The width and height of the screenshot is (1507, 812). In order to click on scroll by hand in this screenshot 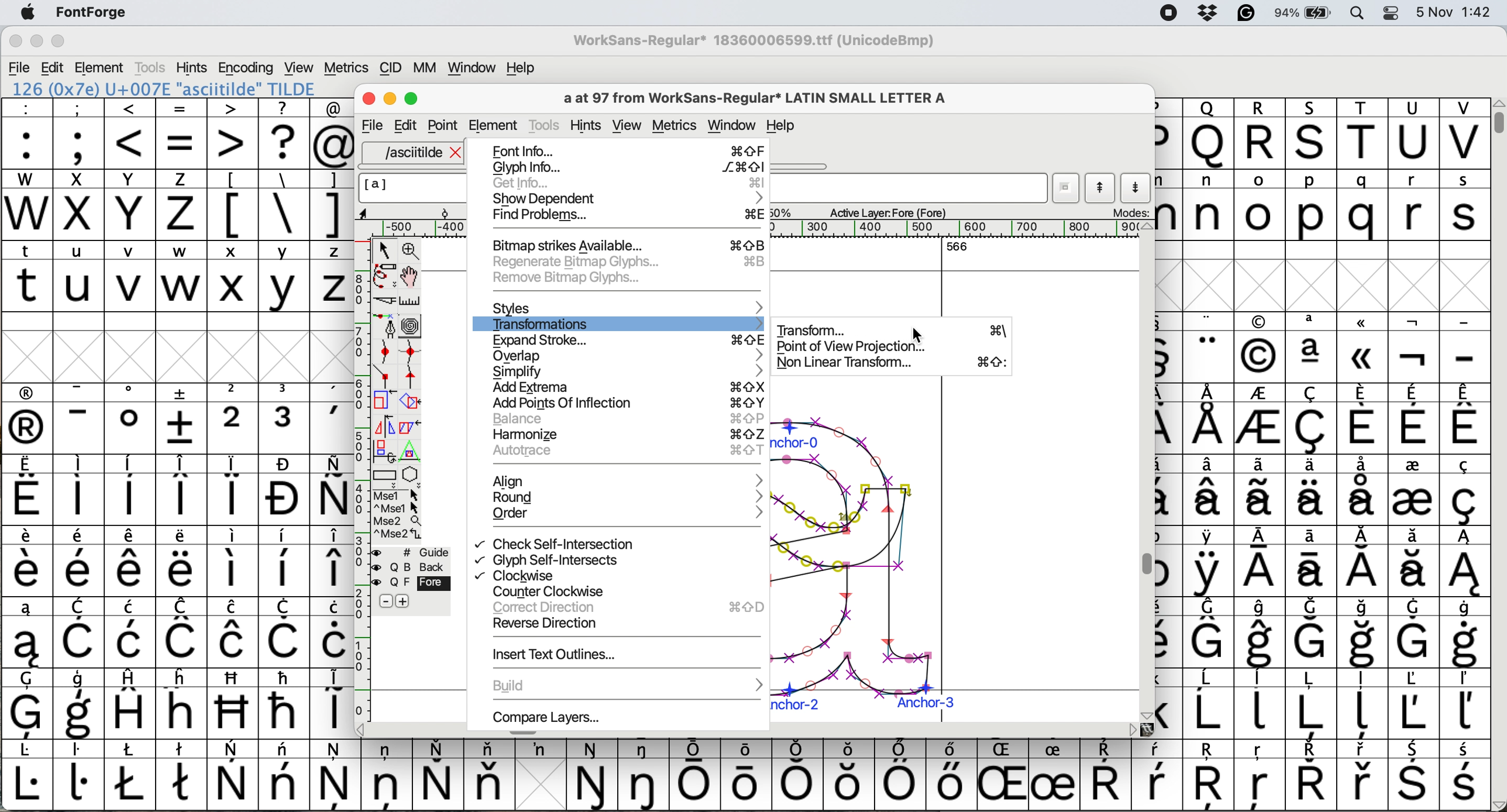, I will do `click(411, 277)`.